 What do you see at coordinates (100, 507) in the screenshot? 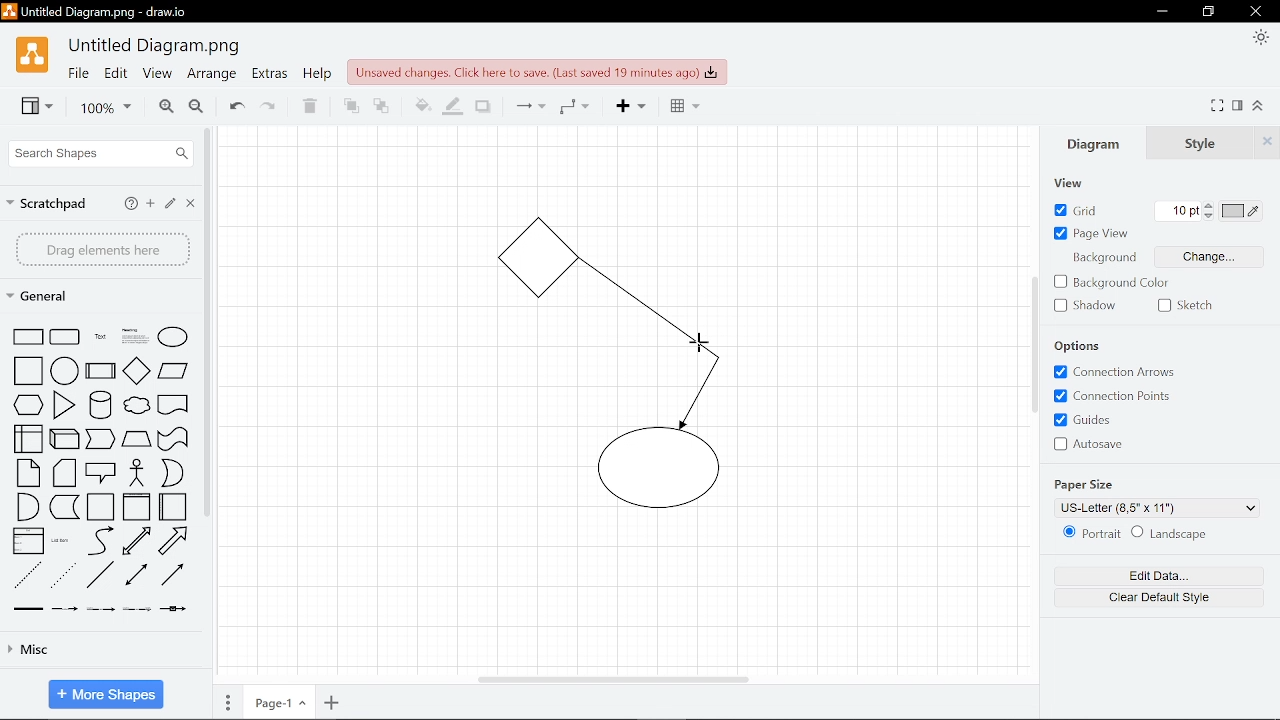
I see `shape` at bounding box center [100, 507].